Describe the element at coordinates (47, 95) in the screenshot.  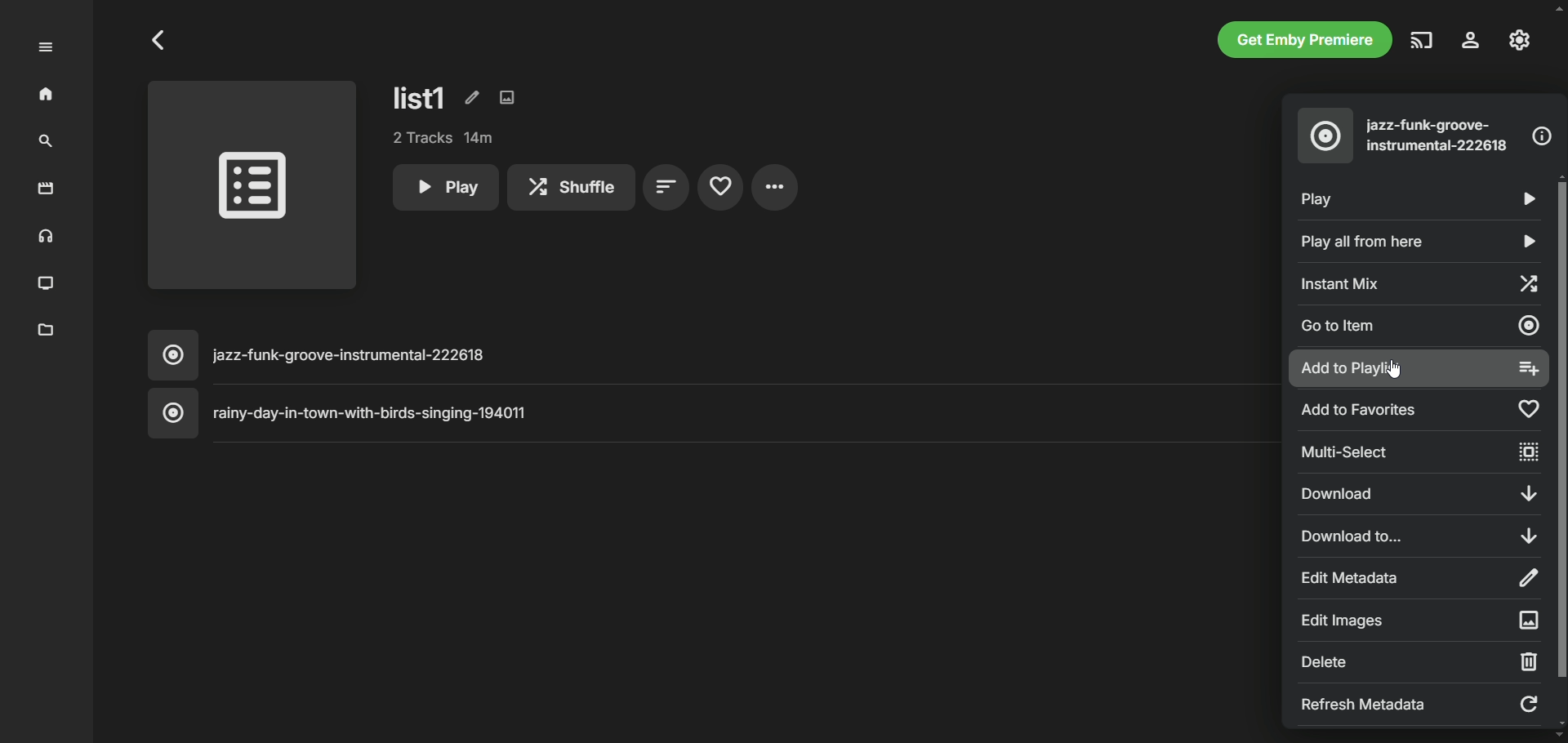
I see `home` at that location.